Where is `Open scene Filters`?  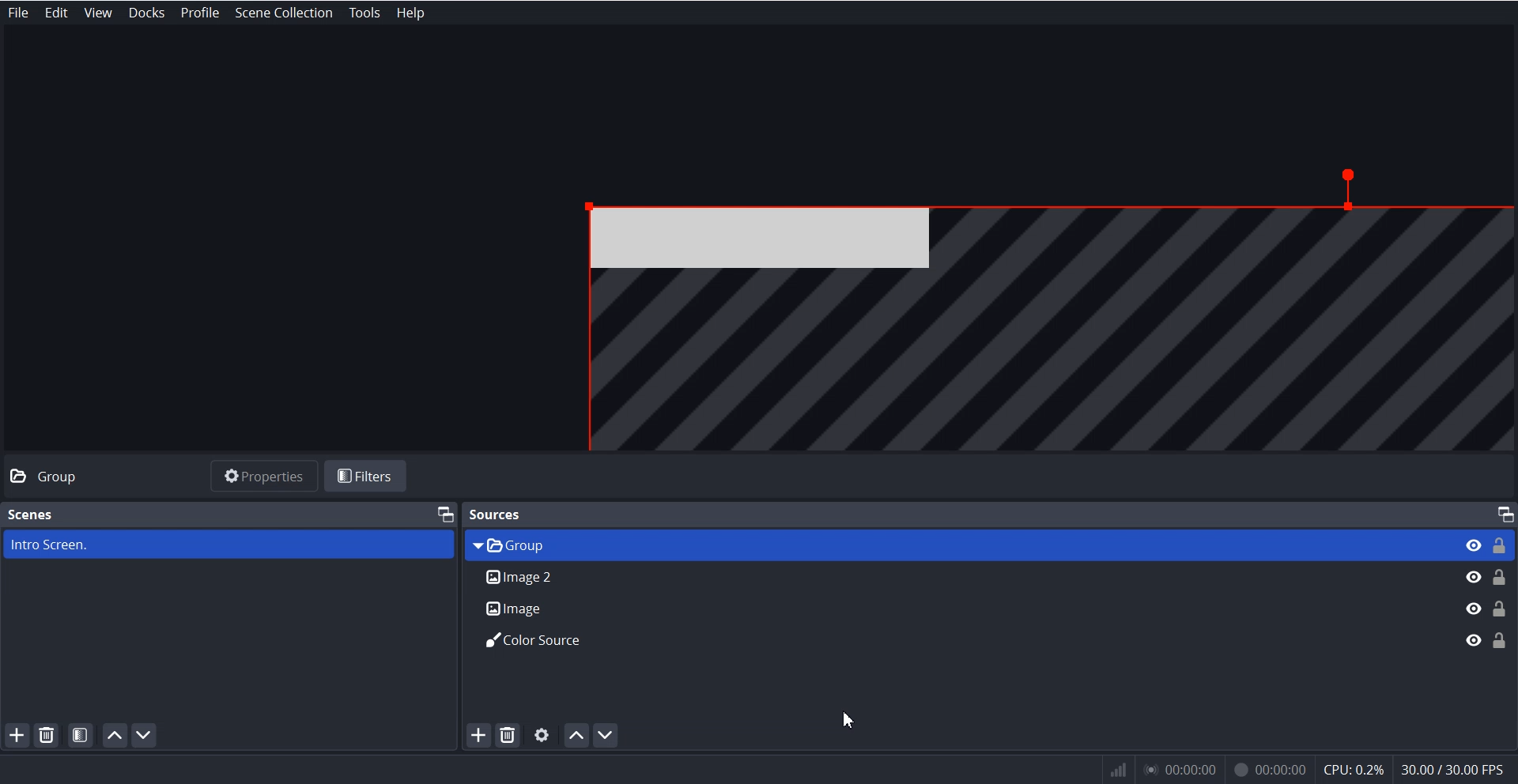
Open scene Filters is located at coordinates (81, 734).